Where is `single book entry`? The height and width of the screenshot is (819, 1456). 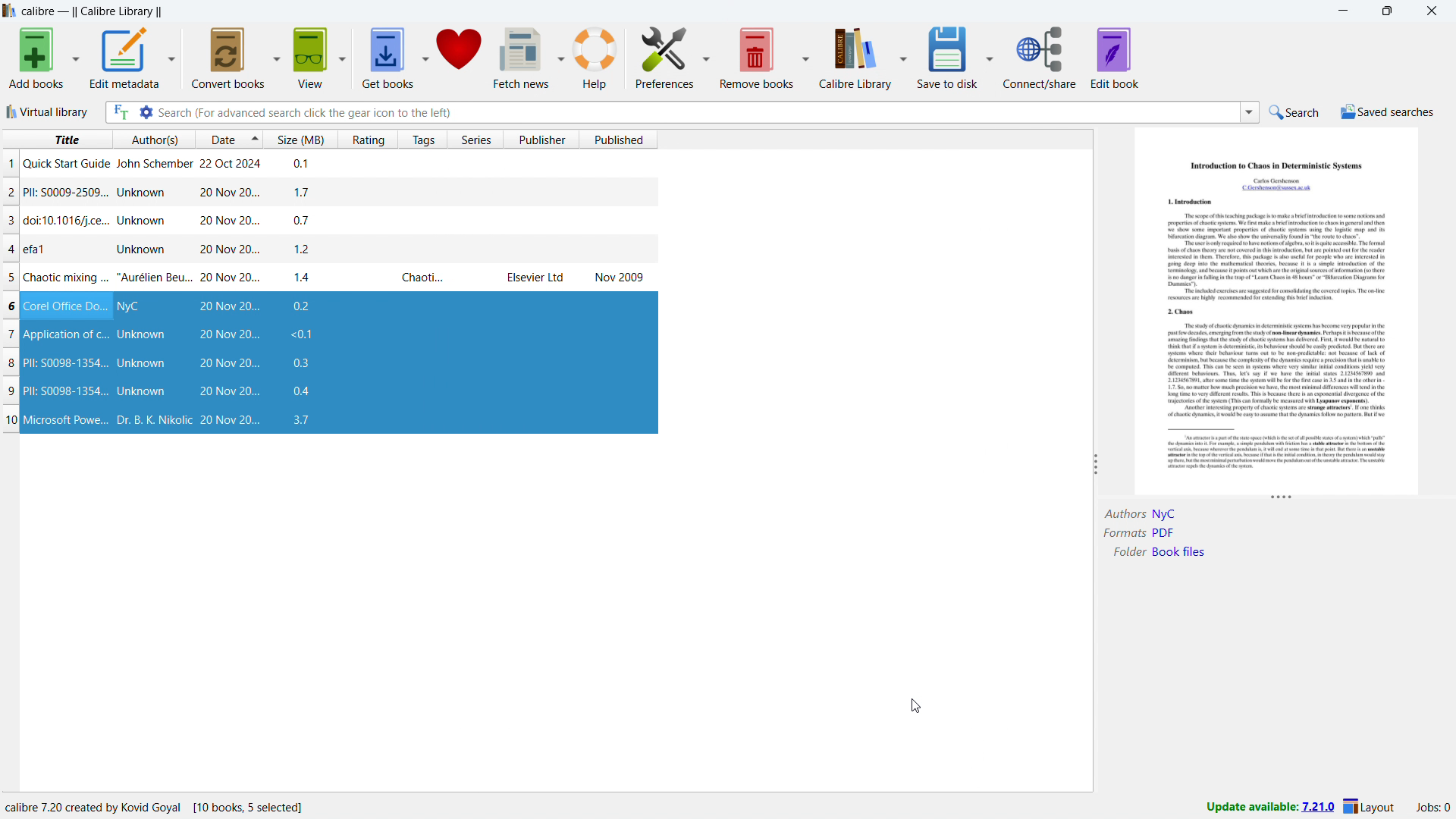 single book entry is located at coordinates (327, 278).